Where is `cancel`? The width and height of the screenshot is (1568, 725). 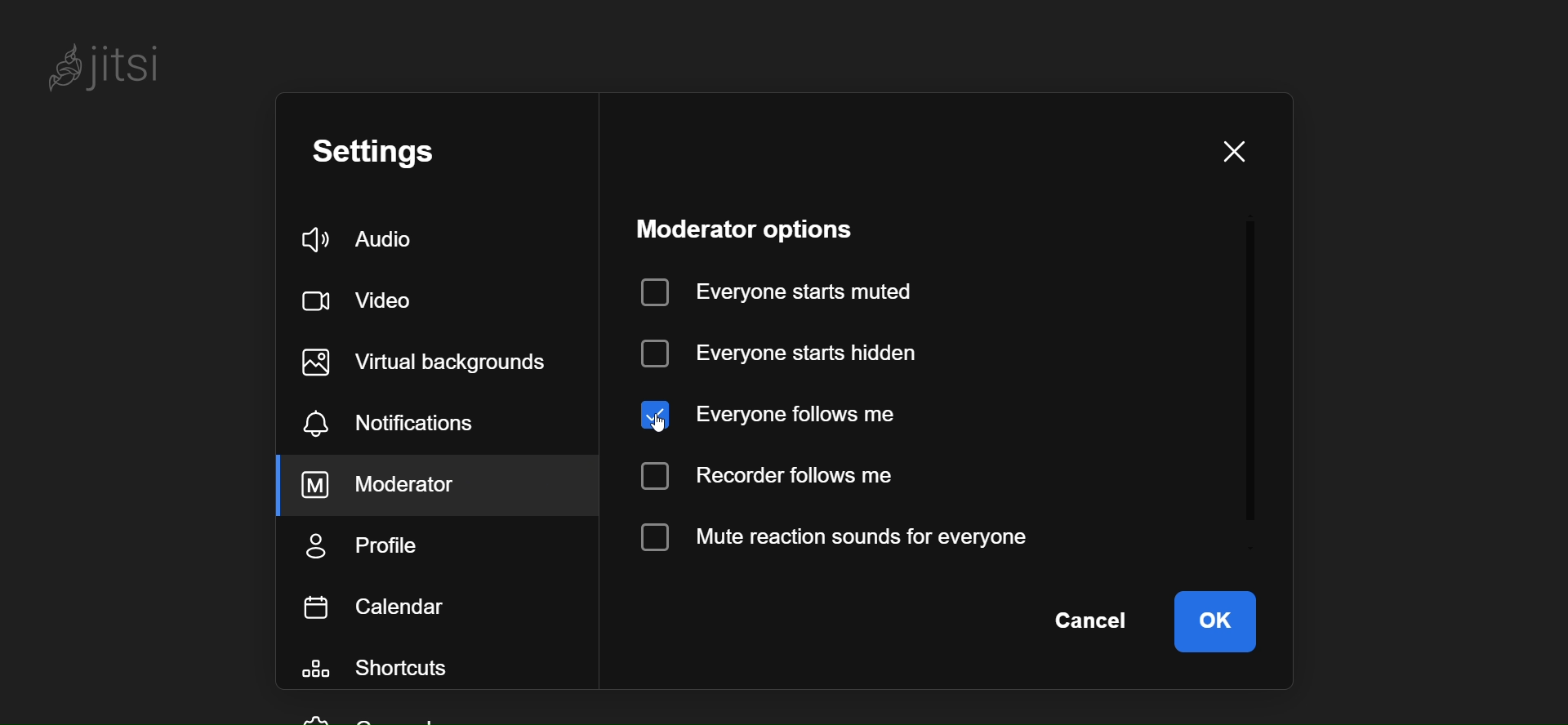
cancel is located at coordinates (1088, 621).